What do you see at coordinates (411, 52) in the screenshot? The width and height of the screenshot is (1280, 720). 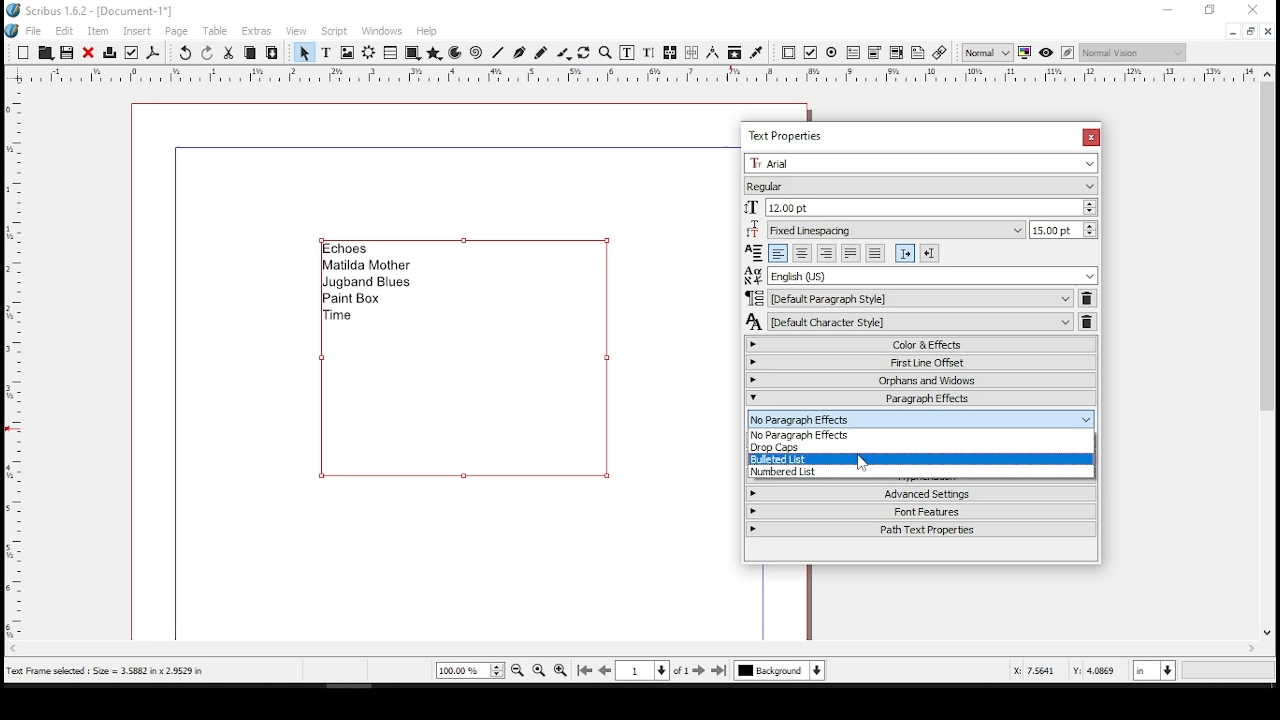 I see `shape` at bounding box center [411, 52].